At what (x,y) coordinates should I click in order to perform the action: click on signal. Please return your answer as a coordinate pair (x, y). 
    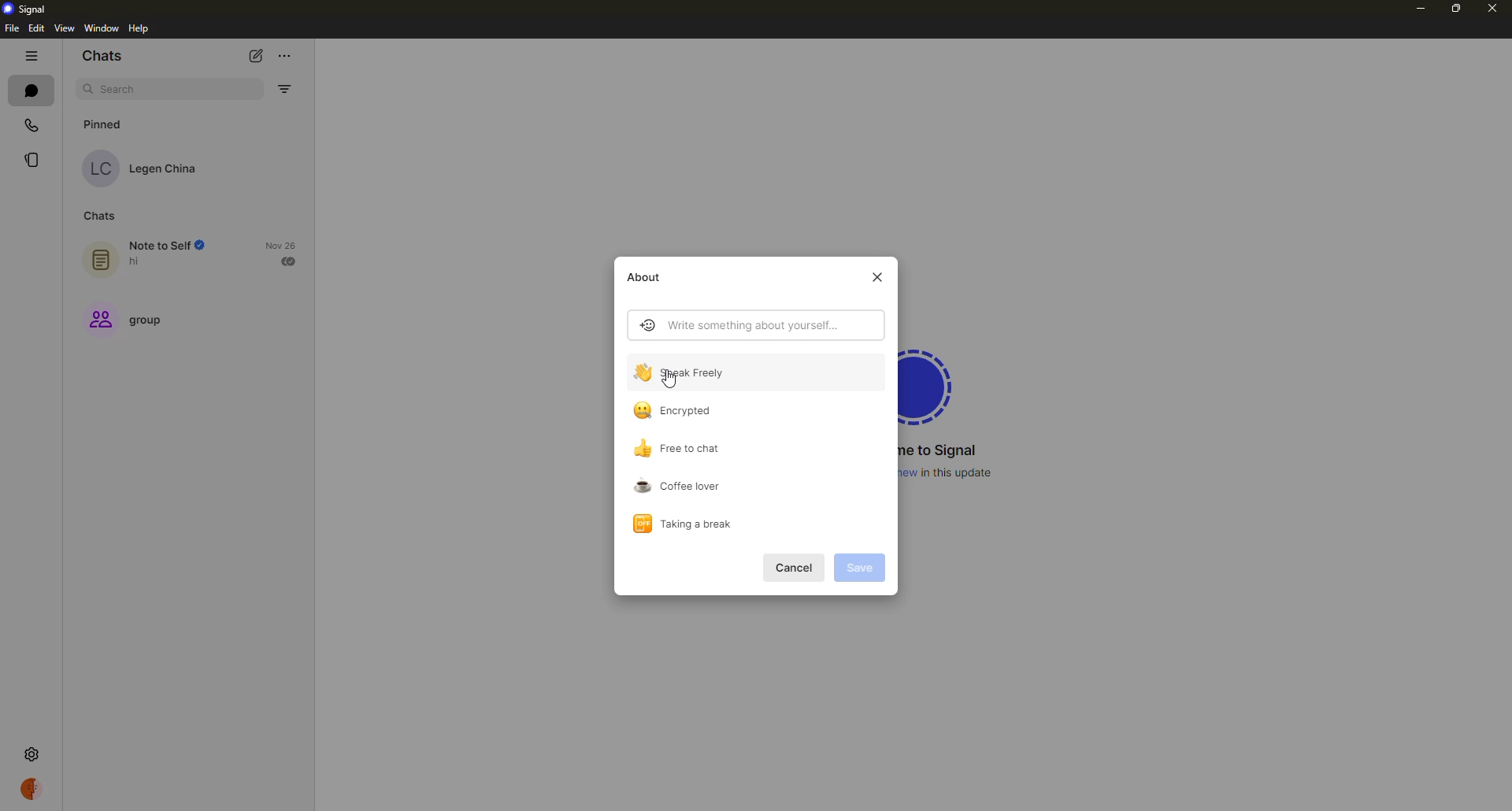
    Looking at the image, I should click on (934, 383).